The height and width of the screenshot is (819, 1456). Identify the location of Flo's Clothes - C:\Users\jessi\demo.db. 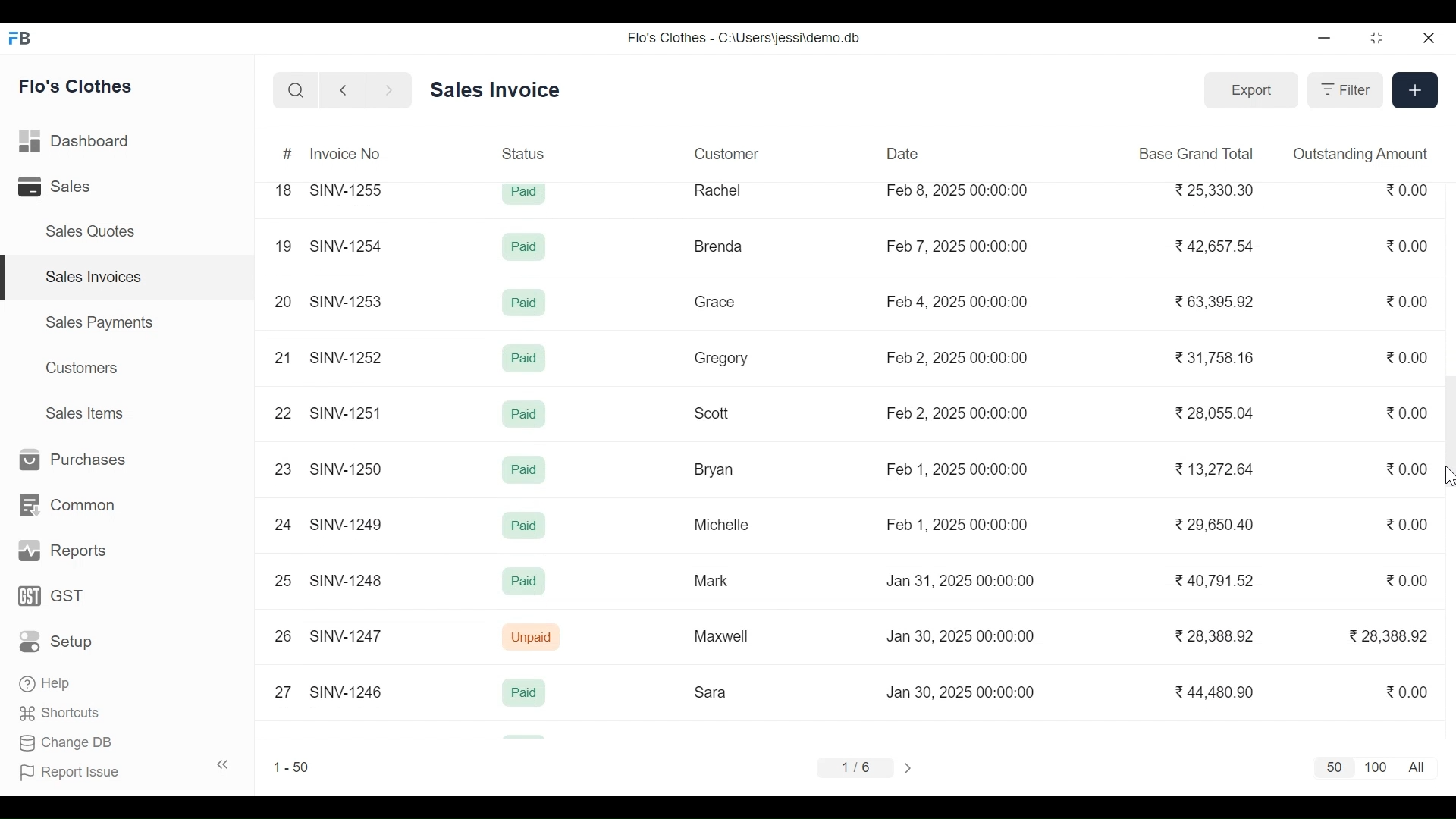
(746, 37).